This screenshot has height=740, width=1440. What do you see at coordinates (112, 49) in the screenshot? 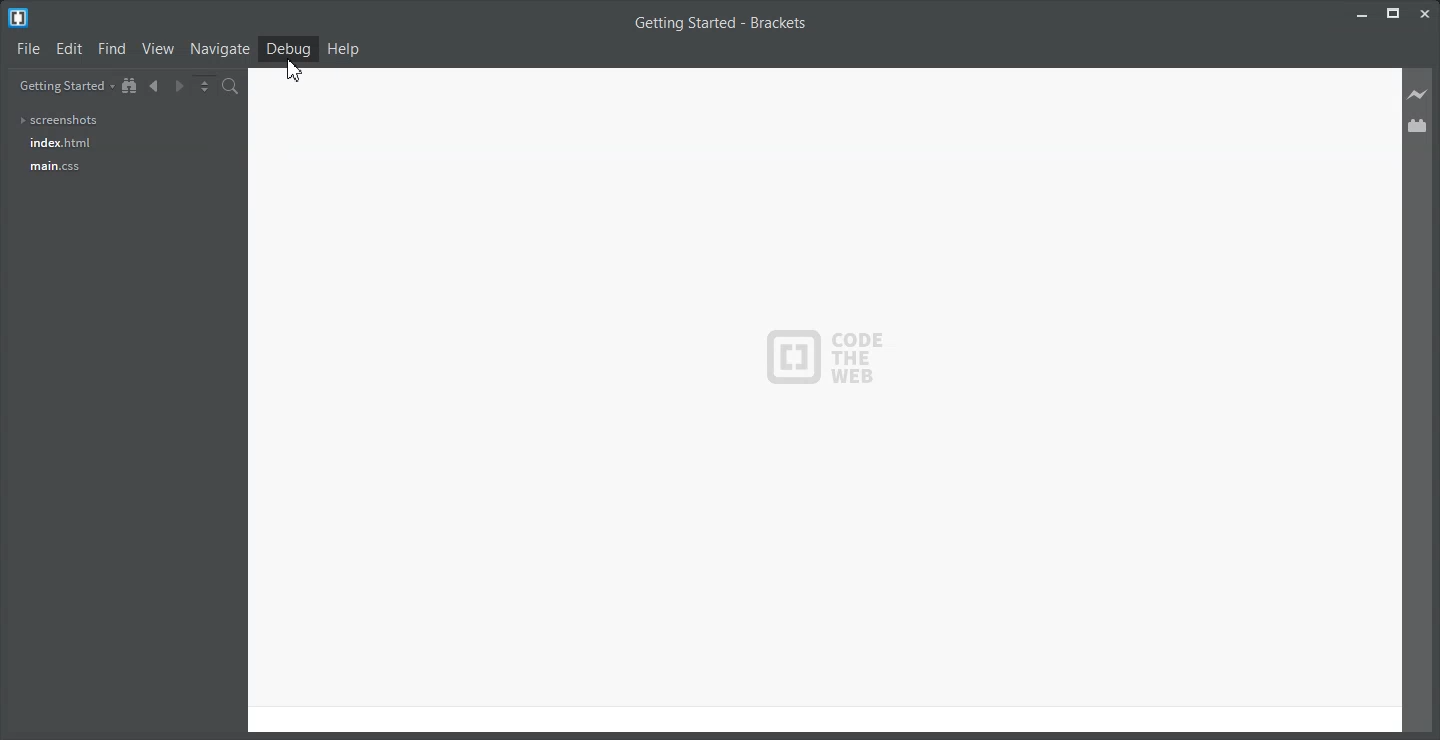
I see `Find` at bounding box center [112, 49].